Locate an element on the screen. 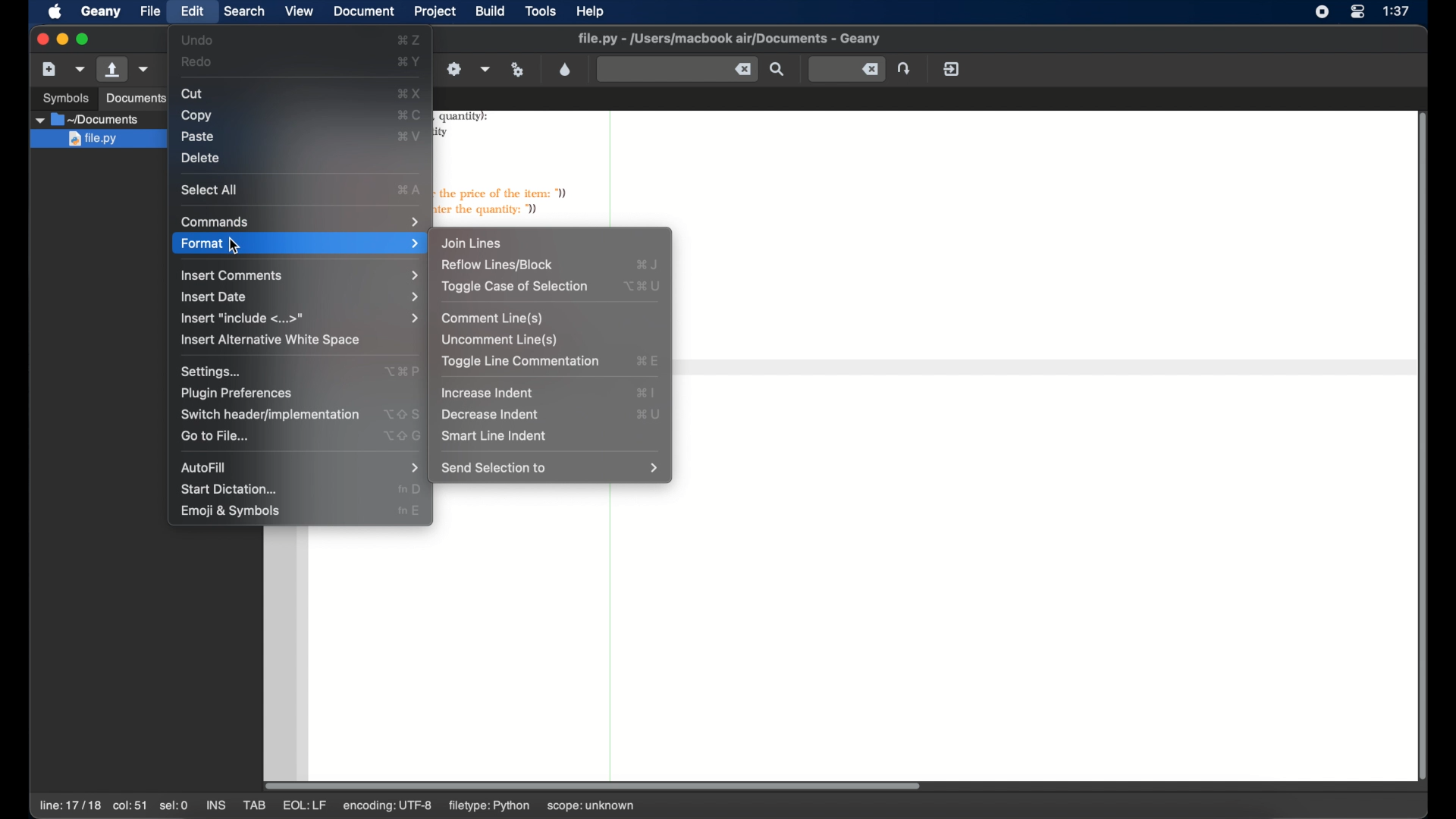  file.py is located at coordinates (96, 140).